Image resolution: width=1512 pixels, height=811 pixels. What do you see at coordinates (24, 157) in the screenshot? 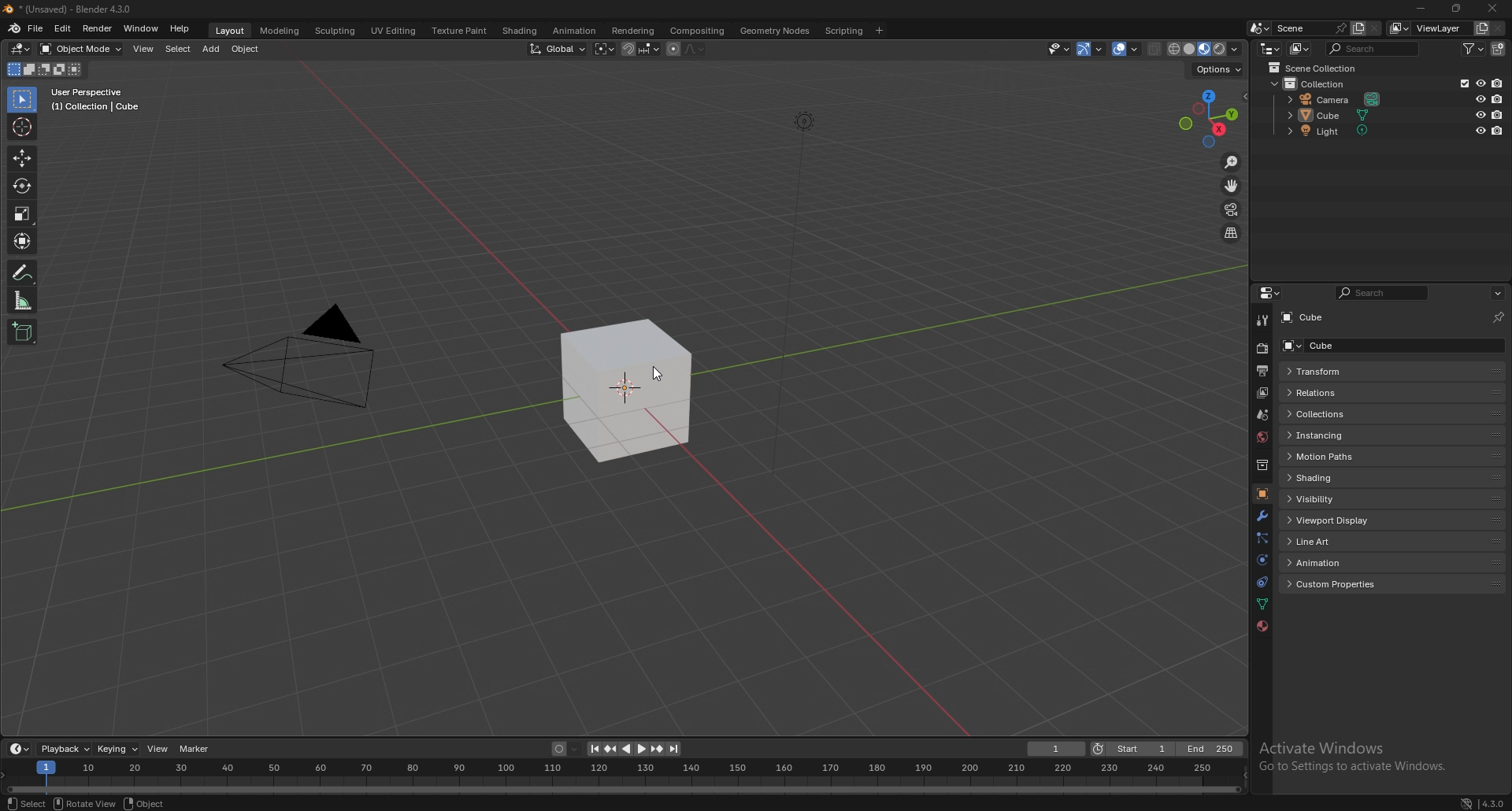
I see `move` at bounding box center [24, 157].